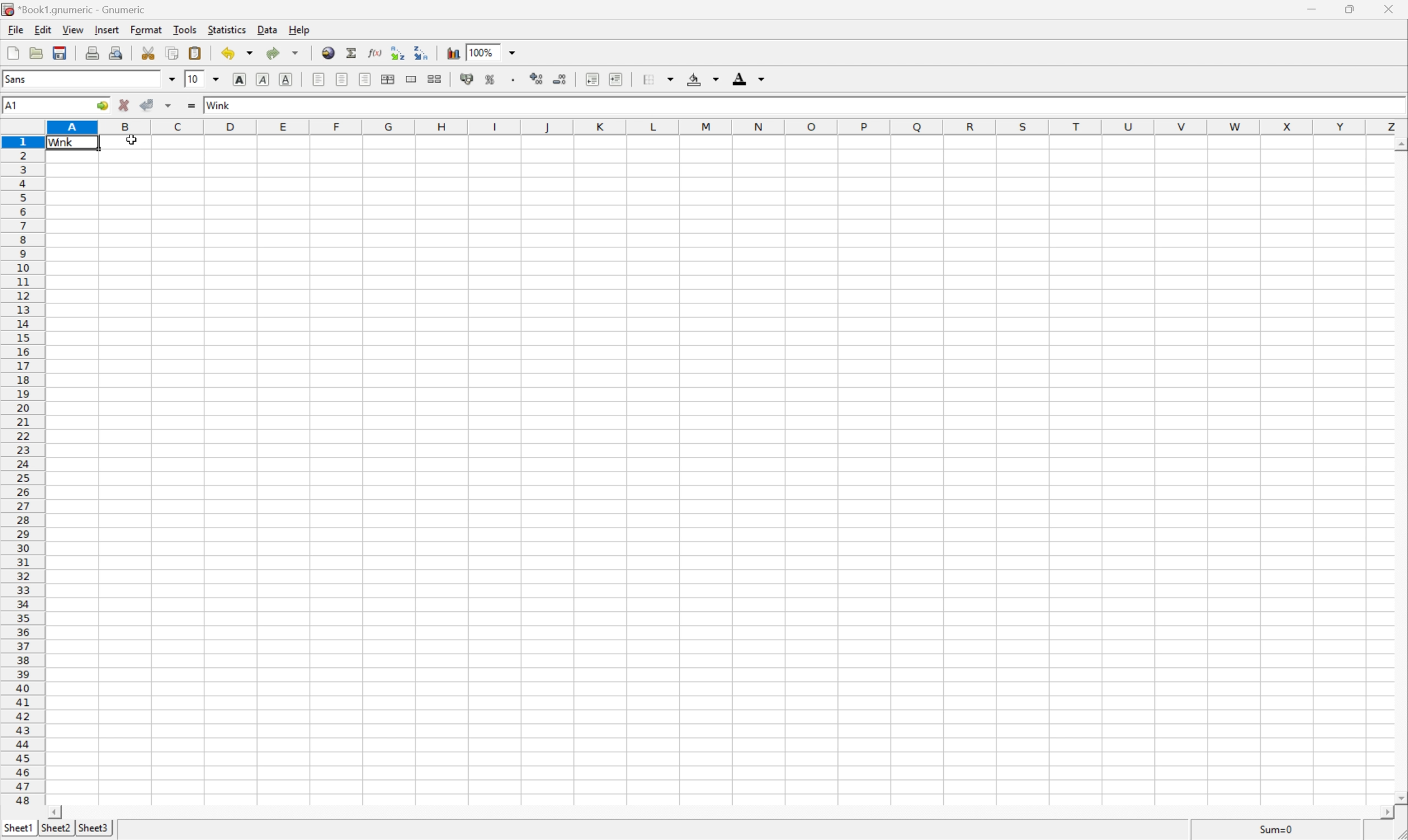  What do you see at coordinates (18, 105) in the screenshot?
I see `A1` at bounding box center [18, 105].